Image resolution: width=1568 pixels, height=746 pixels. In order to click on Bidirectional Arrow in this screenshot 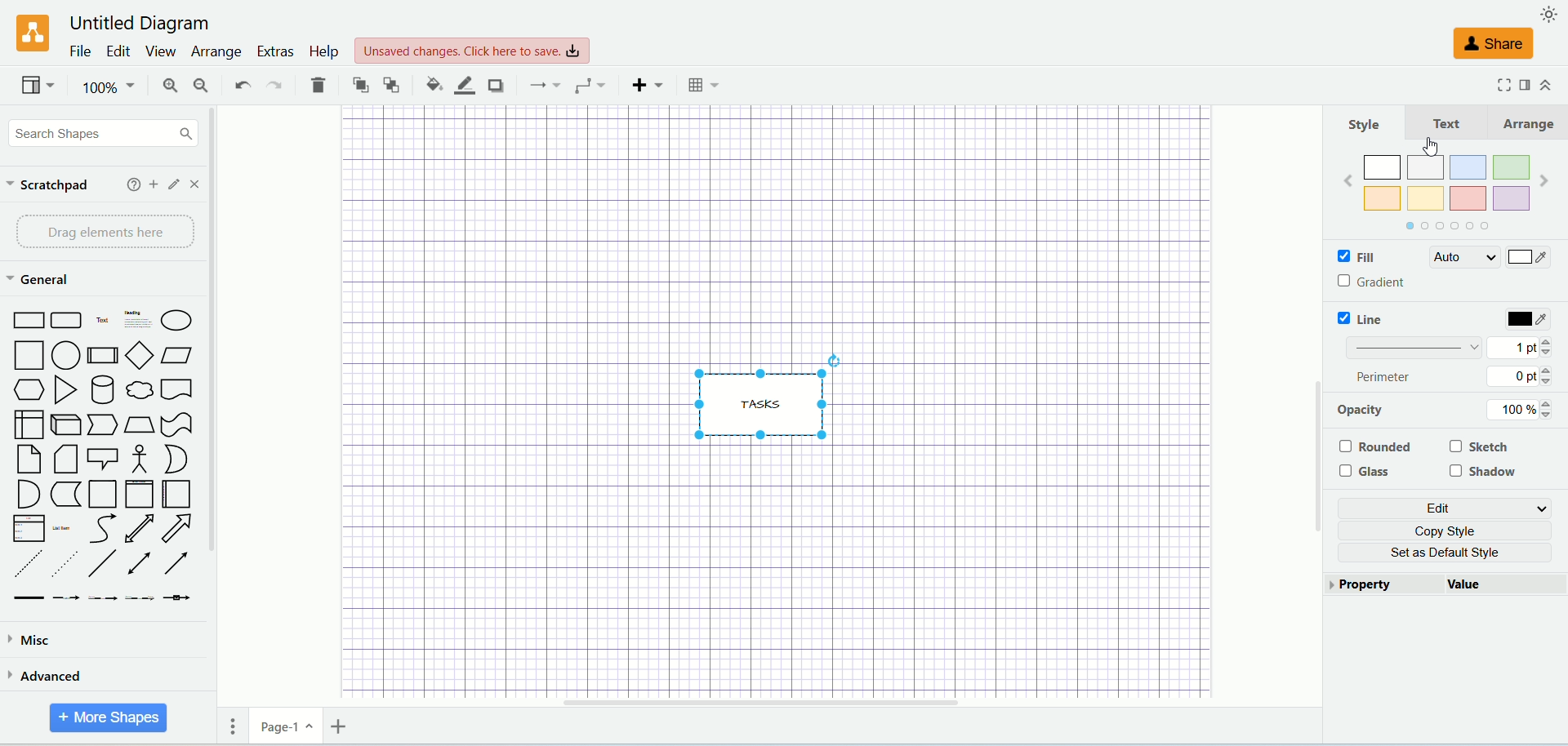, I will do `click(141, 565)`.